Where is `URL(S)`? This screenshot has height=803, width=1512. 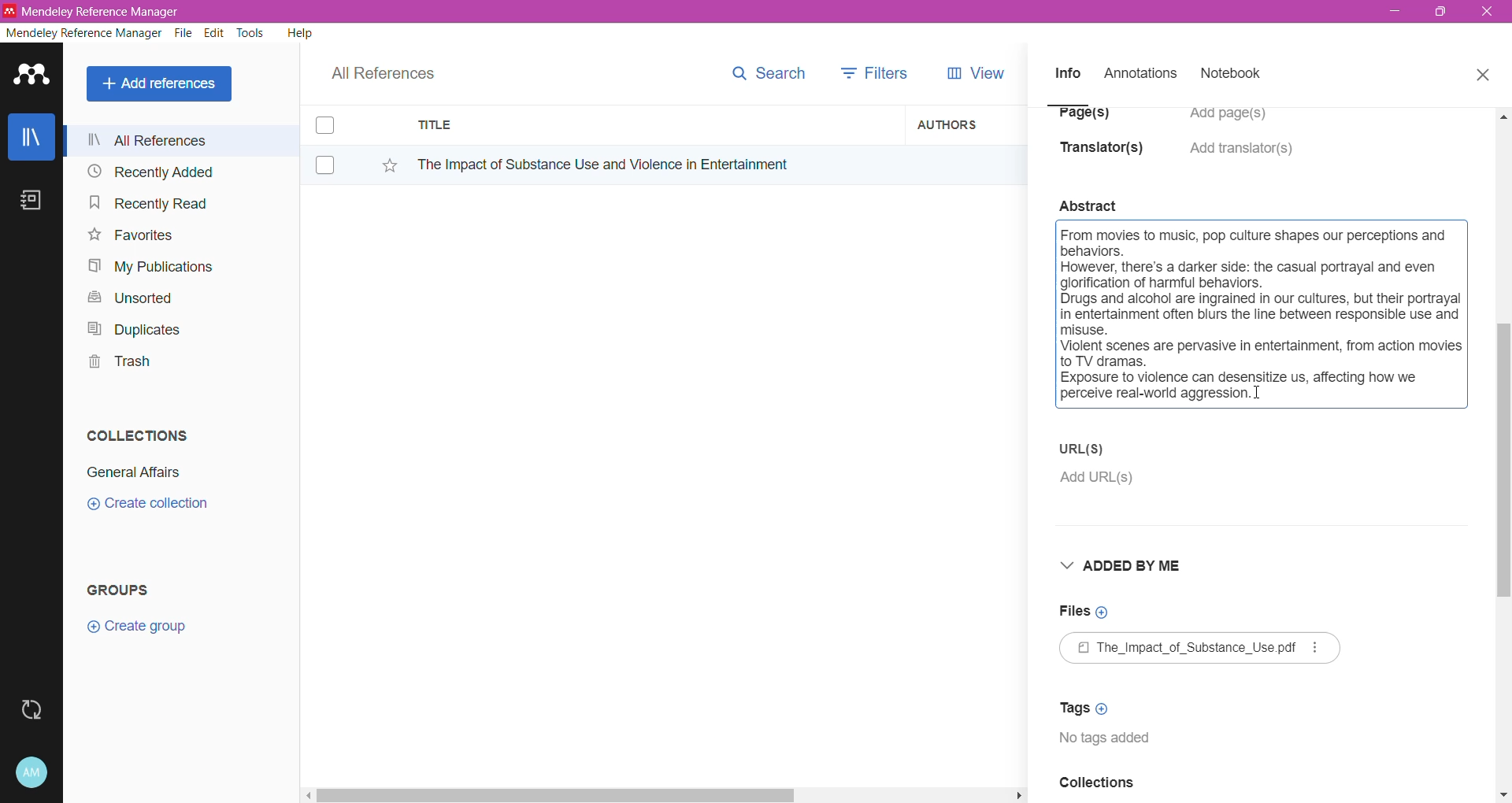 URL(S) is located at coordinates (1085, 448).